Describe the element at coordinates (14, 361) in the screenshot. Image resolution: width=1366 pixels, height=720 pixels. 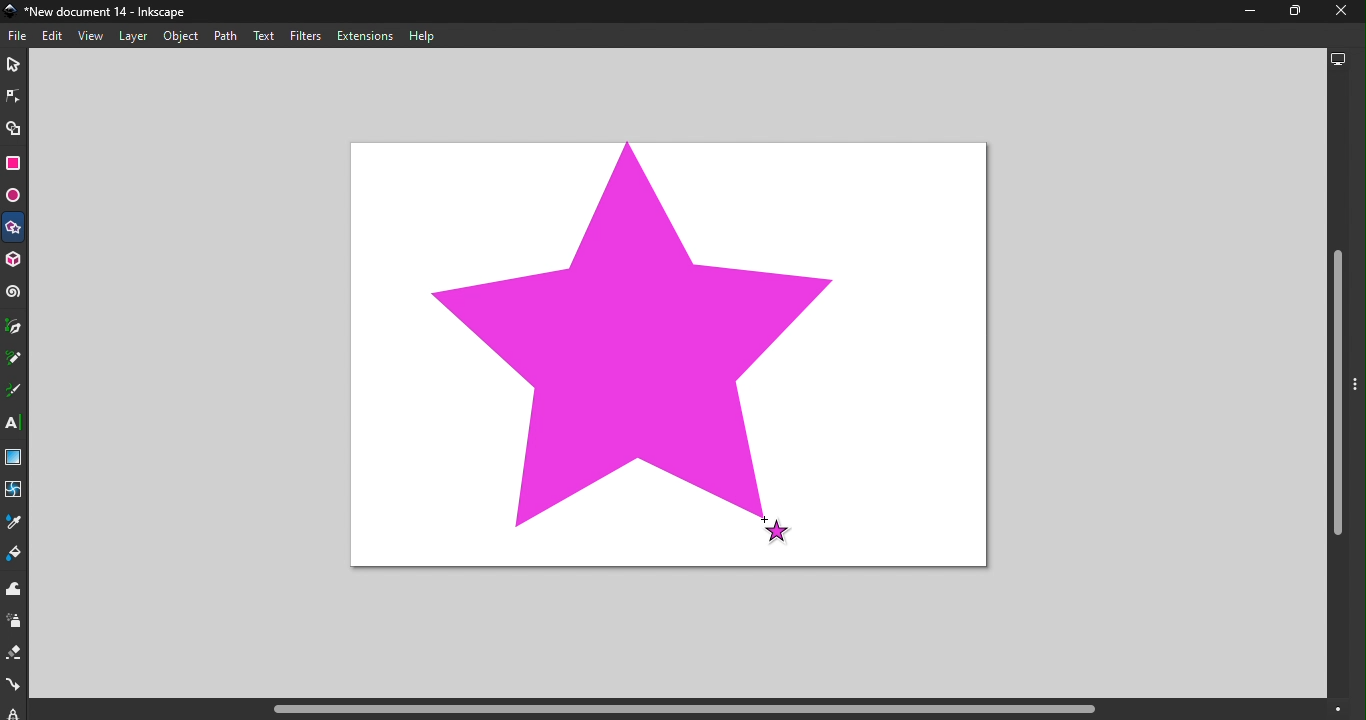
I see `Pencil tool` at that location.